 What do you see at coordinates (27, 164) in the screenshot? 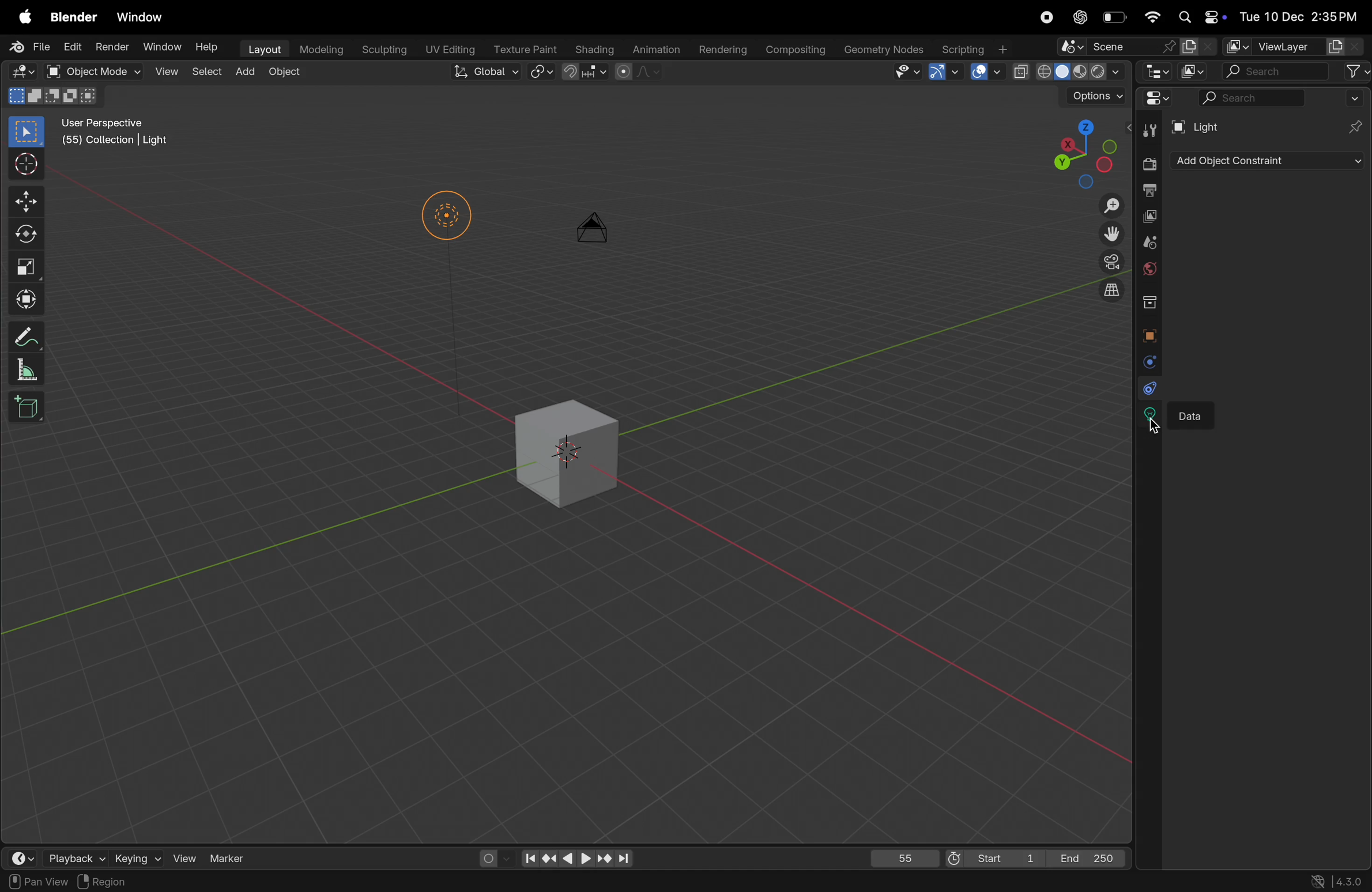
I see `cursor` at bounding box center [27, 164].